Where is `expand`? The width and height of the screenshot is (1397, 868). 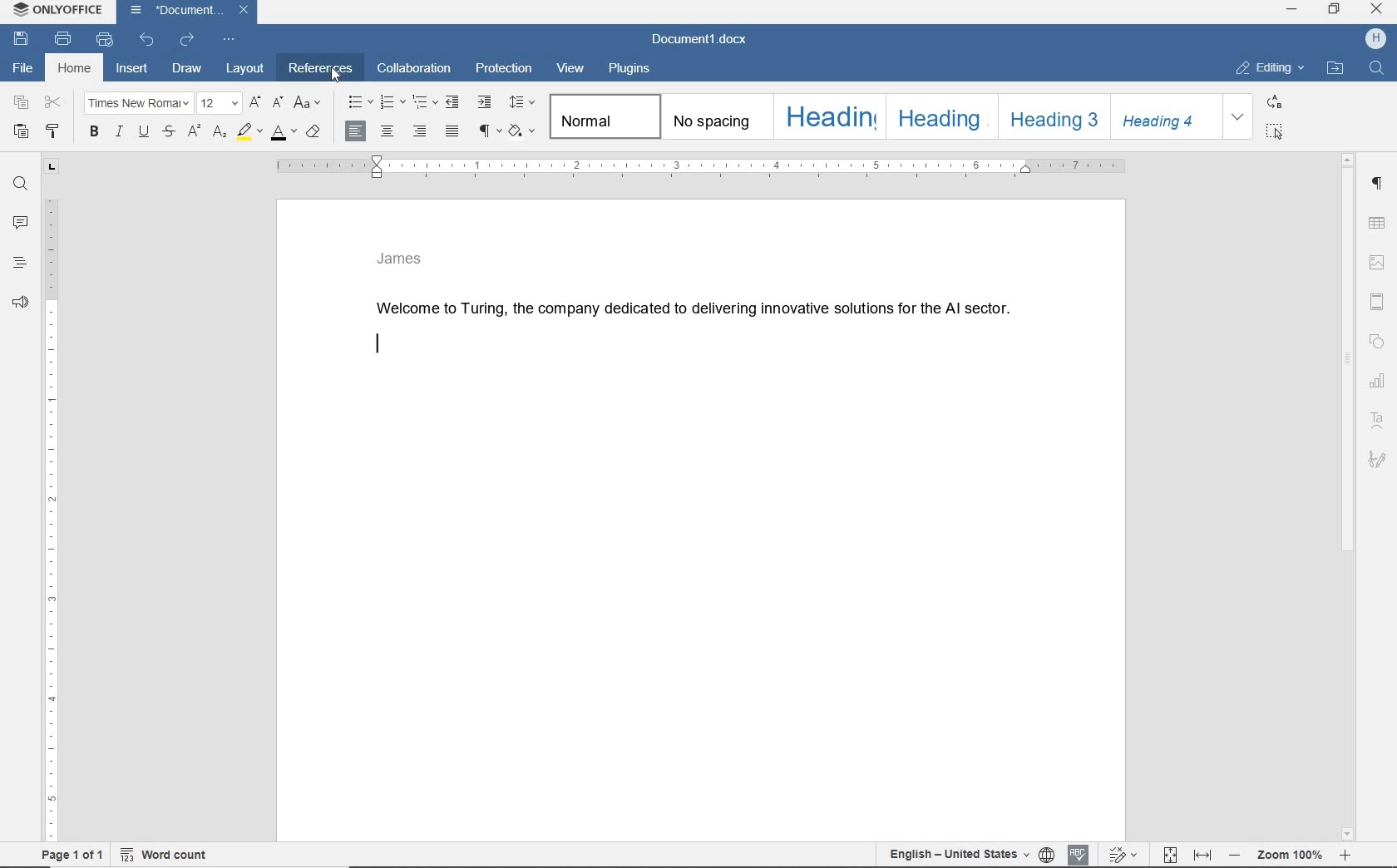
expand is located at coordinates (1241, 118).